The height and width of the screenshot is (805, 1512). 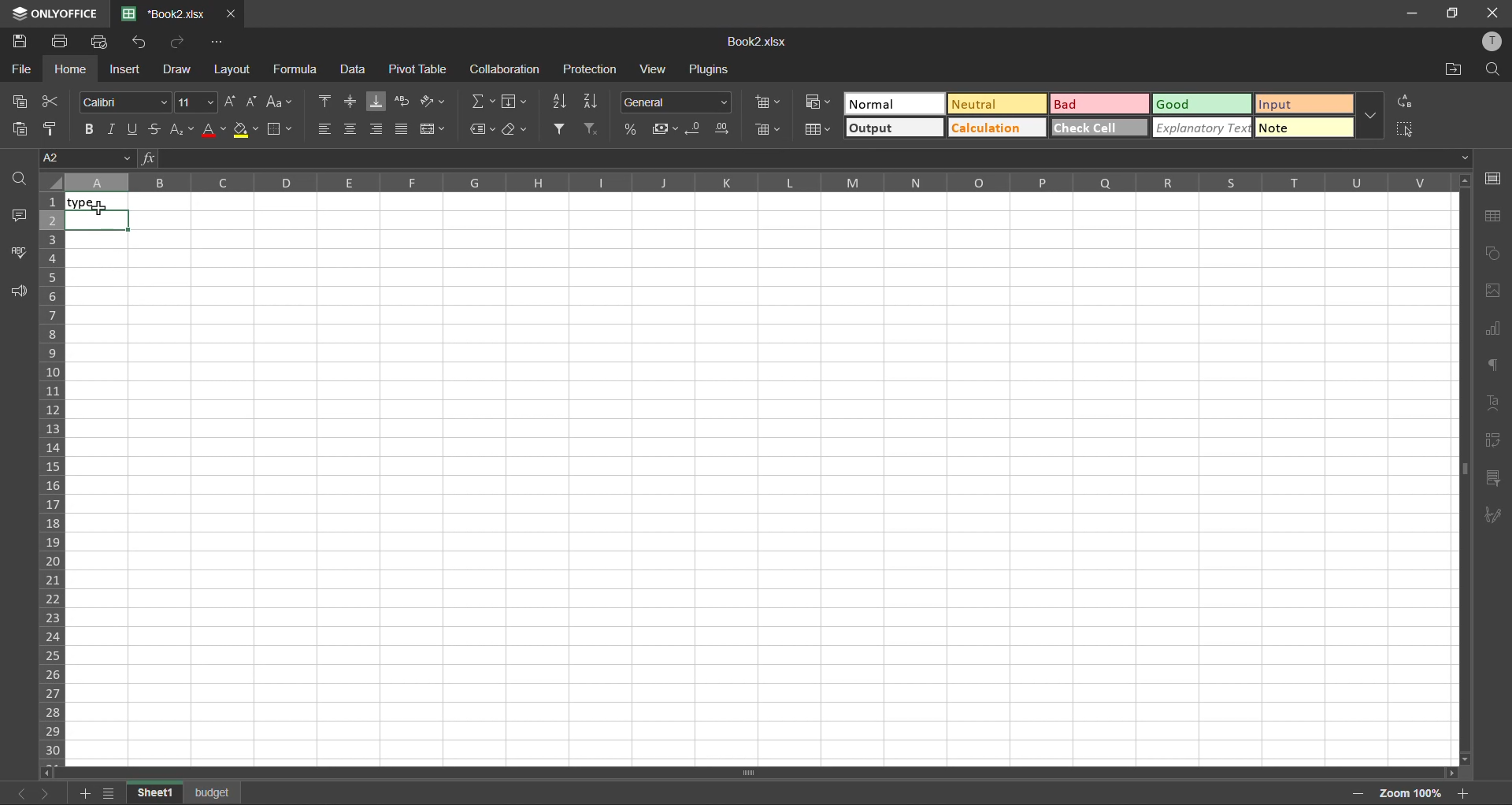 What do you see at coordinates (103, 43) in the screenshot?
I see `quick print` at bounding box center [103, 43].